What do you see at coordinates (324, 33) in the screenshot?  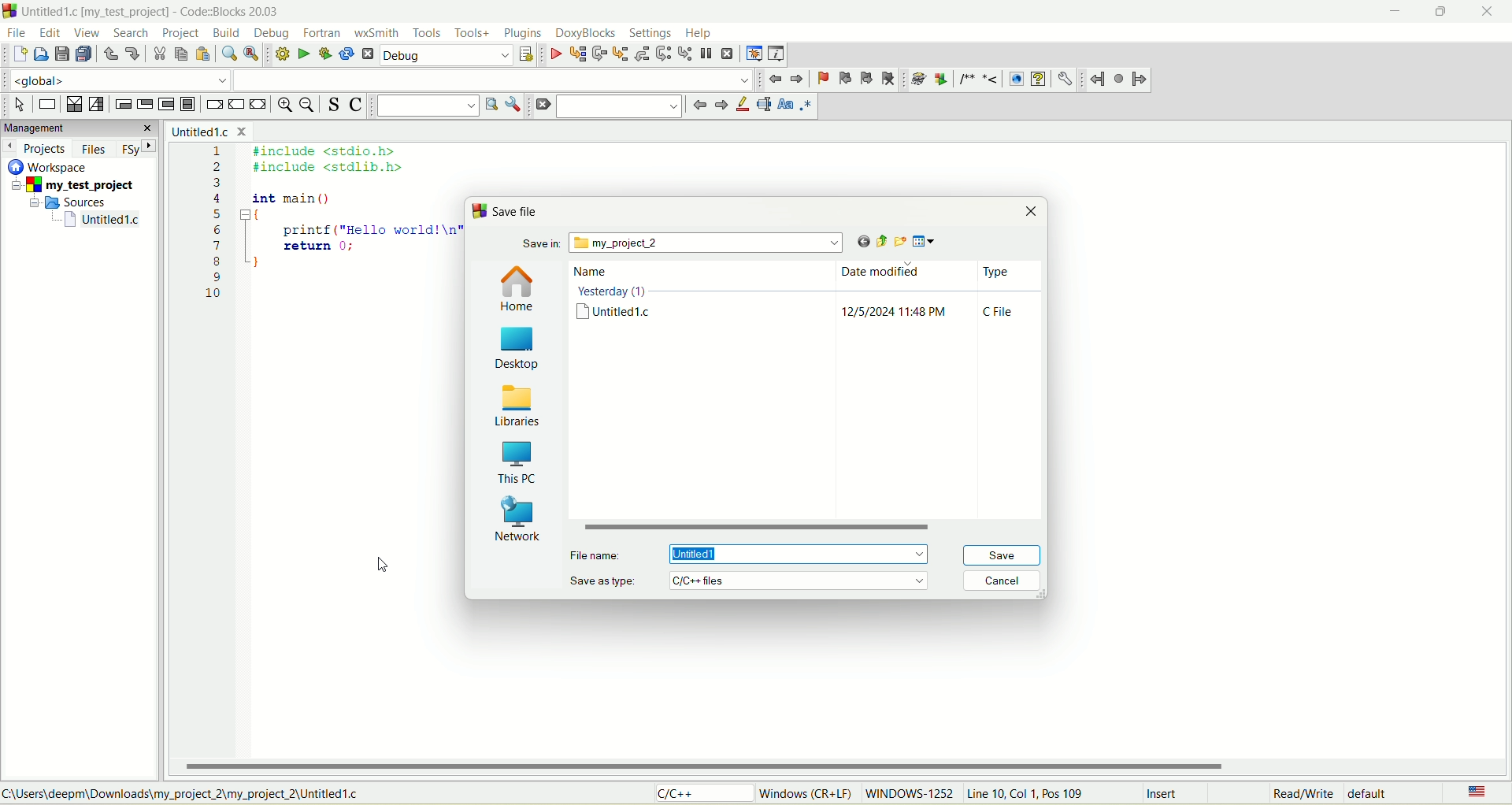 I see `fortan` at bounding box center [324, 33].